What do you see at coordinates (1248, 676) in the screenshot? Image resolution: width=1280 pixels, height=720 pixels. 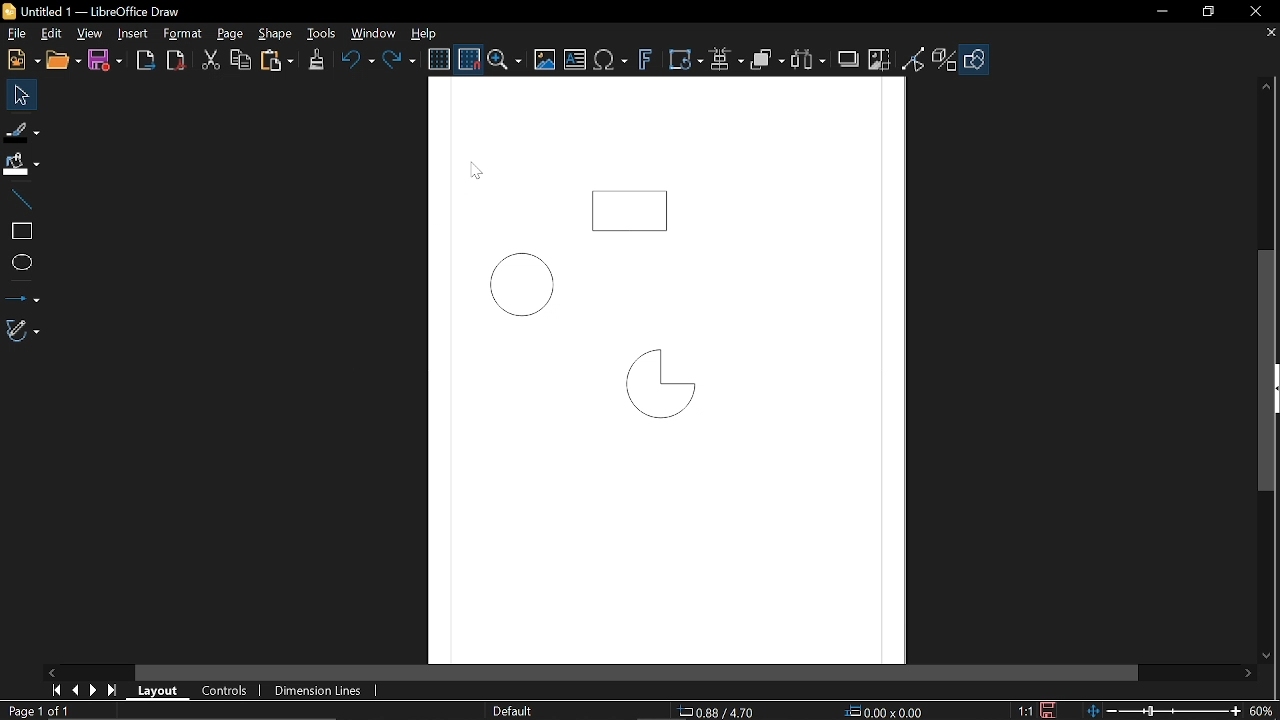 I see `Move right` at bounding box center [1248, 676].